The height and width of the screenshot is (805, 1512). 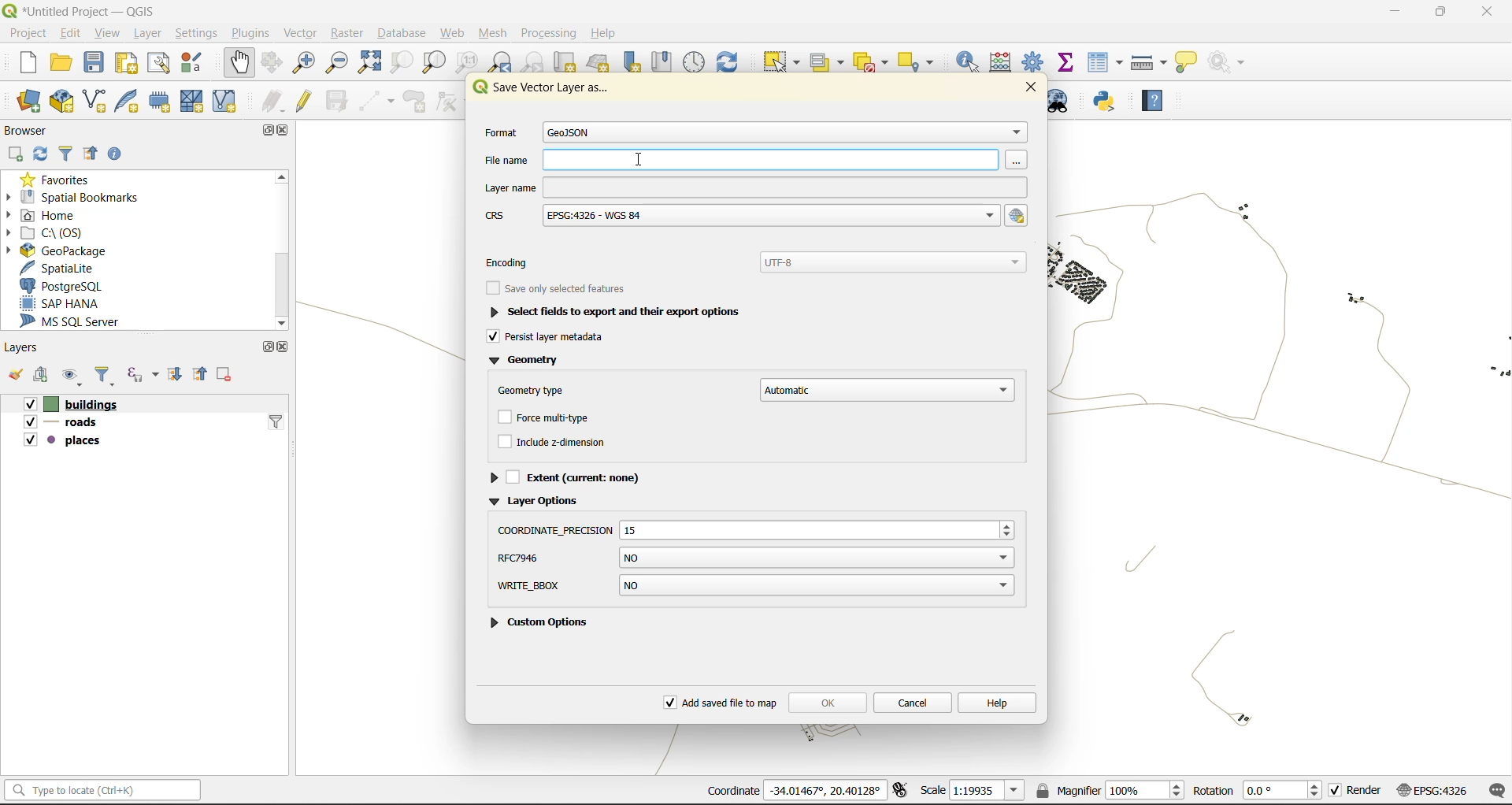 What do you see at coordinates (369, 62) in the screenshot?
I see `zoom full` at bounding box center [369, 62].